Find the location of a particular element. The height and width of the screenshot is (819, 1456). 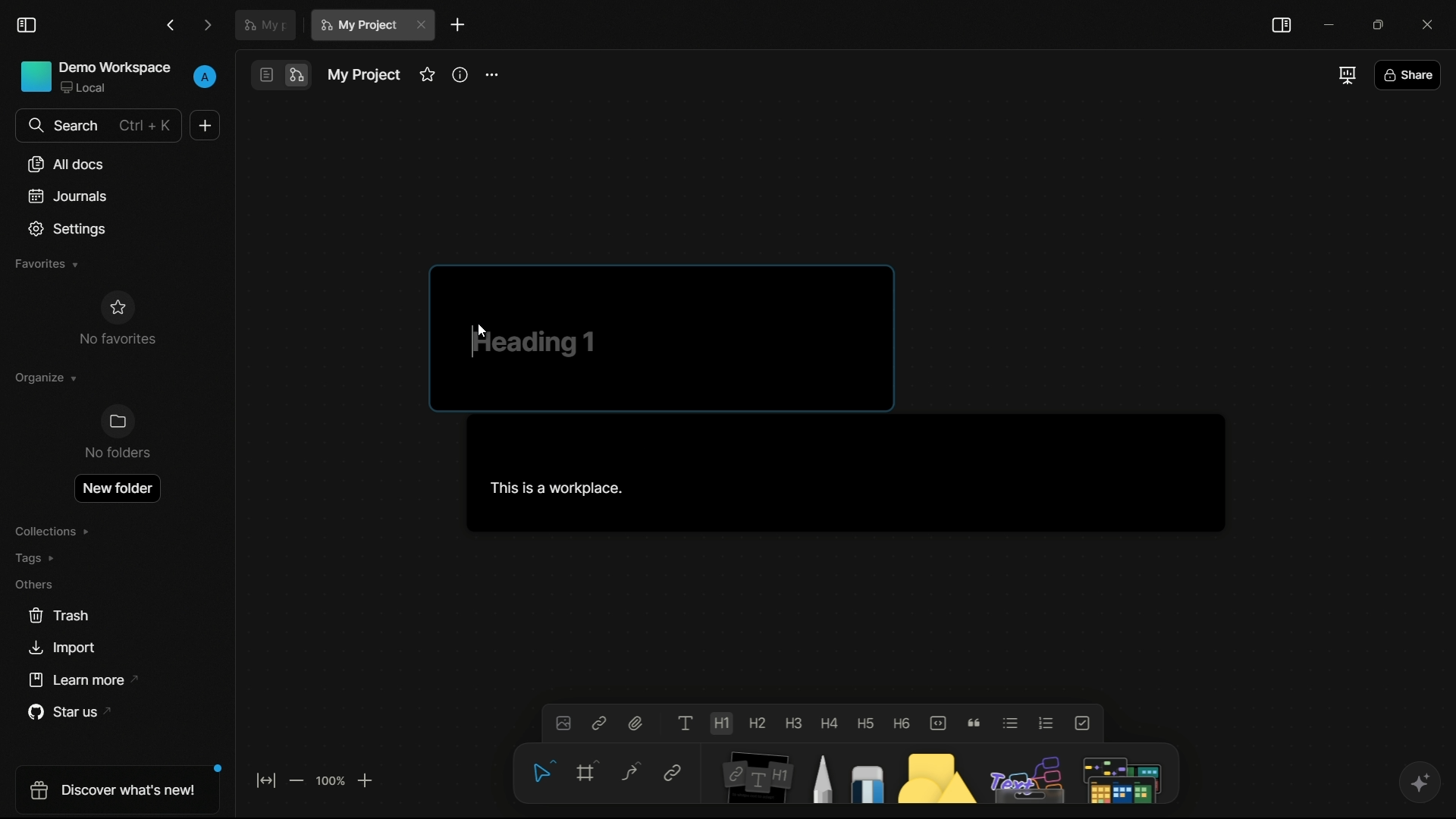

organize is located at coordinates (45, 379).